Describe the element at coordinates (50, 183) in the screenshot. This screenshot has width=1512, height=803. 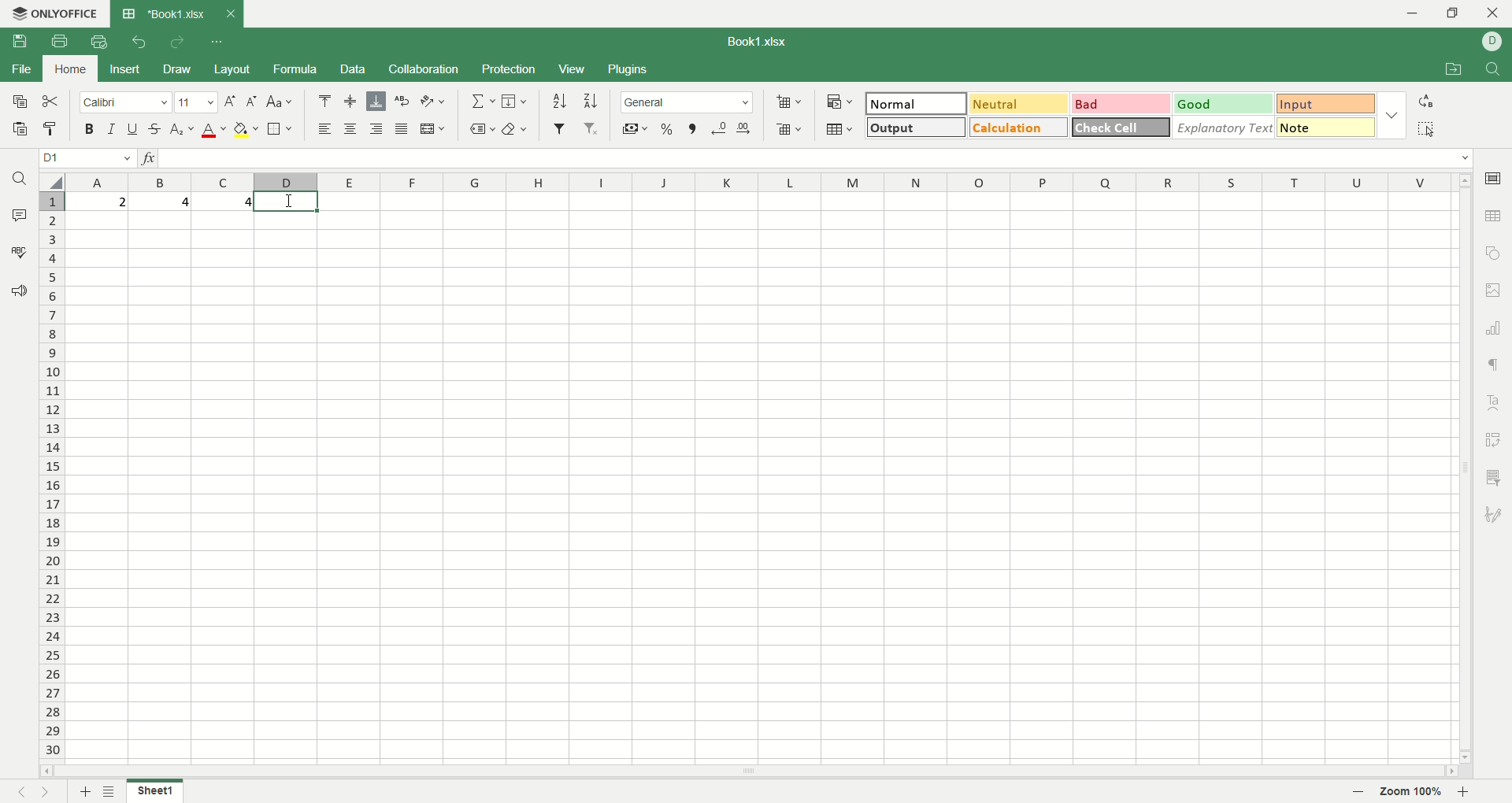
I see `select all` at that location.